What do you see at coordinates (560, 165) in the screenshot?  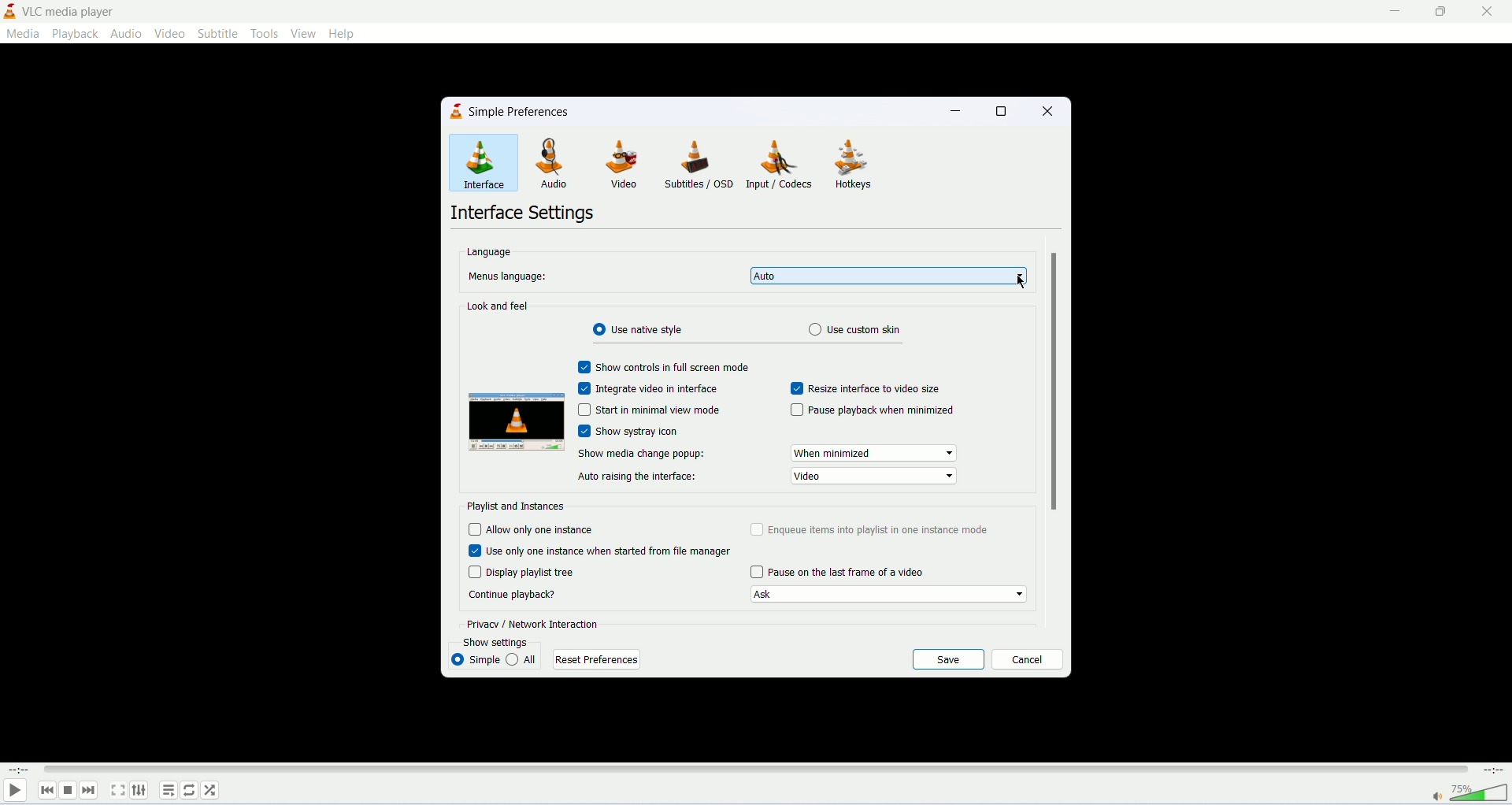 I see `audio` at bounding box center [560, 165].